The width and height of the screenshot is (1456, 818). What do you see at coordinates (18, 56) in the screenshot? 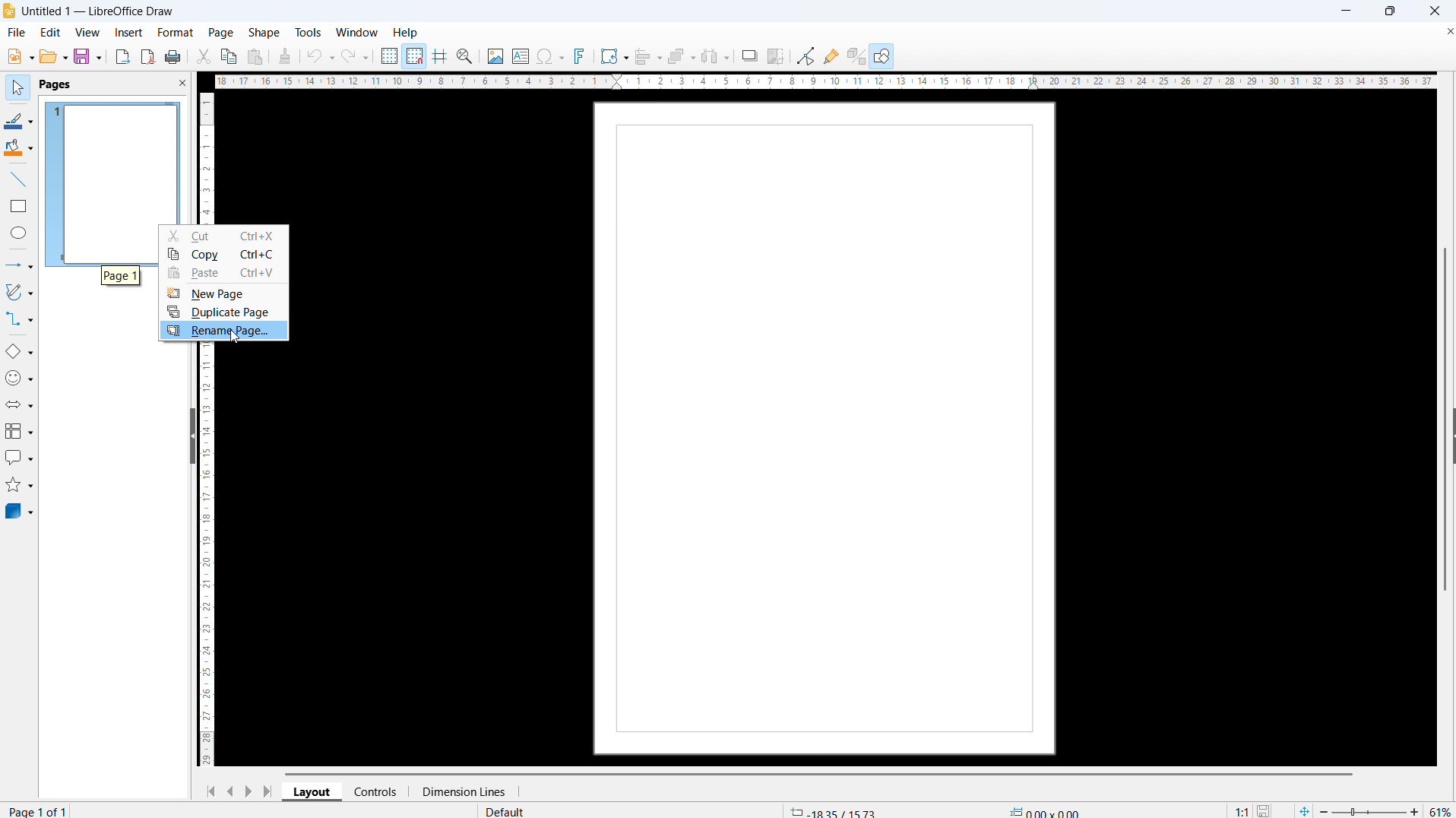
I see `new` at bounding box center [18, 56].